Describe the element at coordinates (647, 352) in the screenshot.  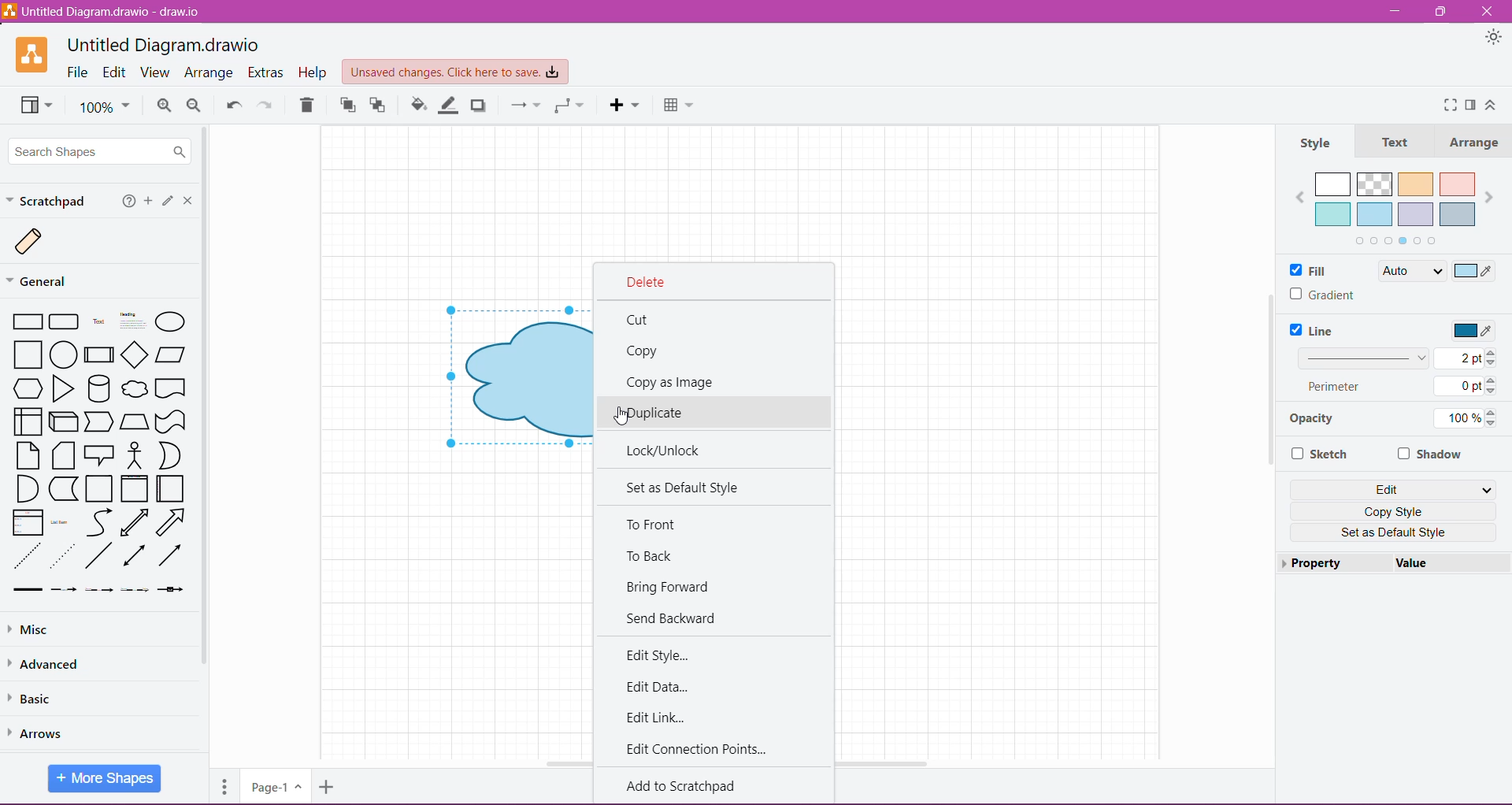
I see `Copy` at that location.